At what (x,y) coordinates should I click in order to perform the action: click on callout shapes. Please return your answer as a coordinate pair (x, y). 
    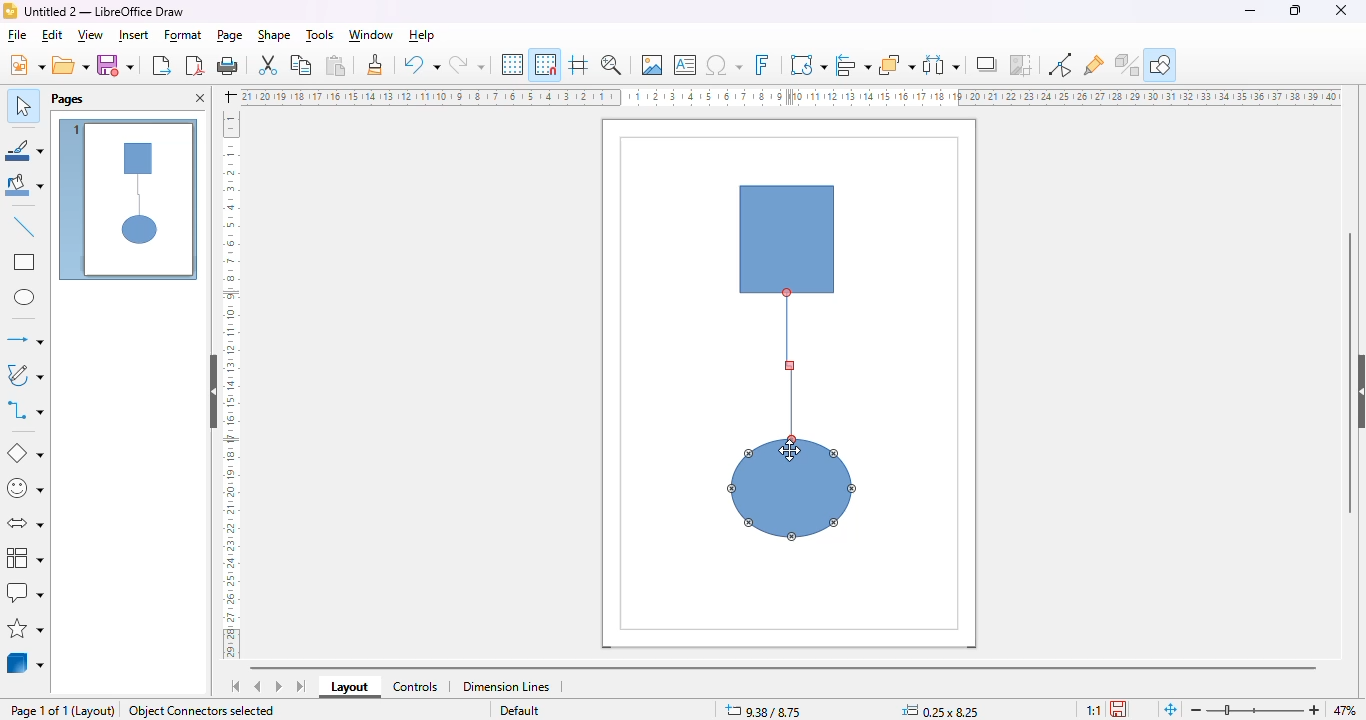
    Looking at the image, I should click on (26, 592).